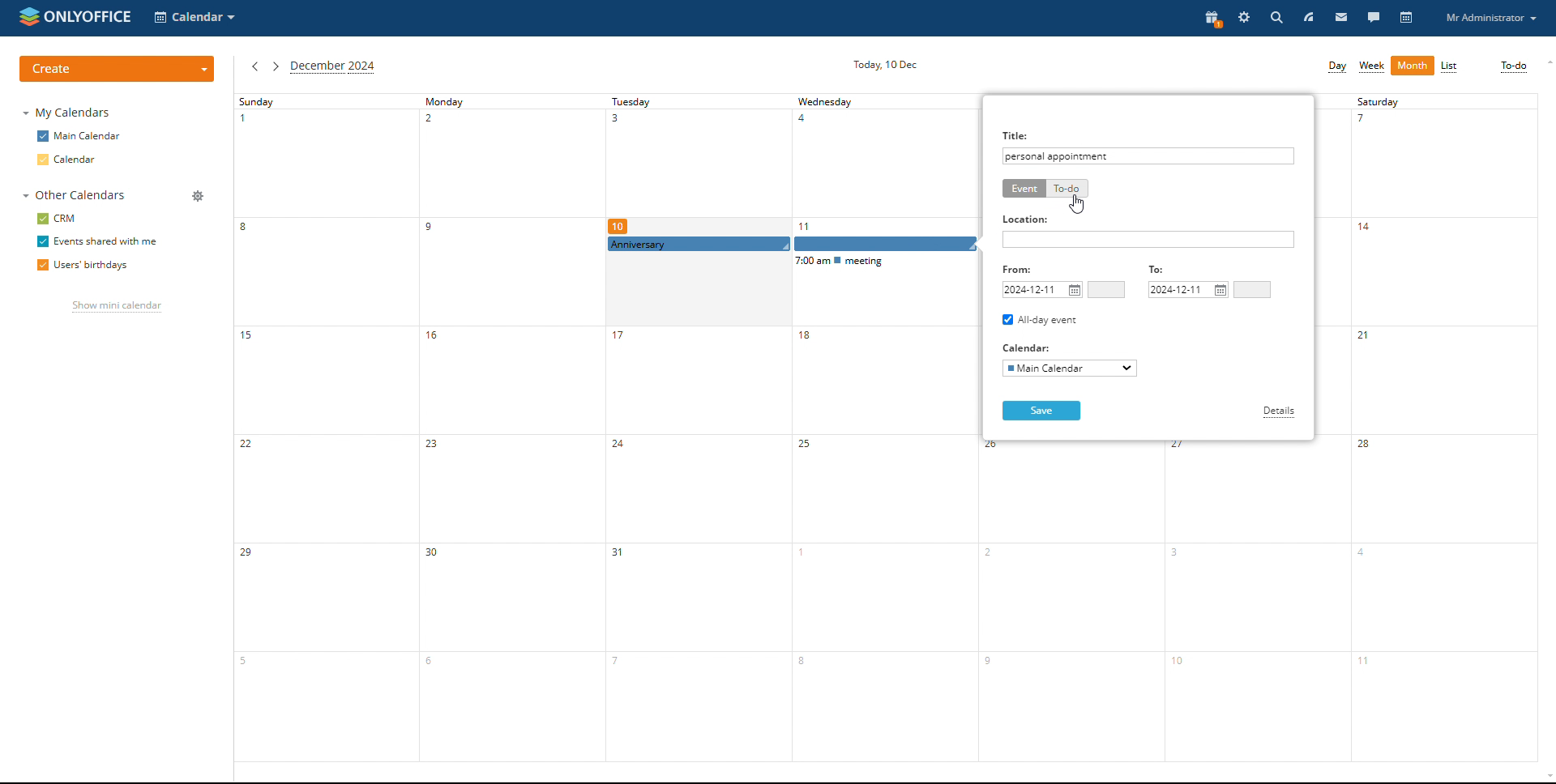  What do you see at coordinates (1275, 18) in the screenshot?
I see `search` at bounding box center [1275, 18].